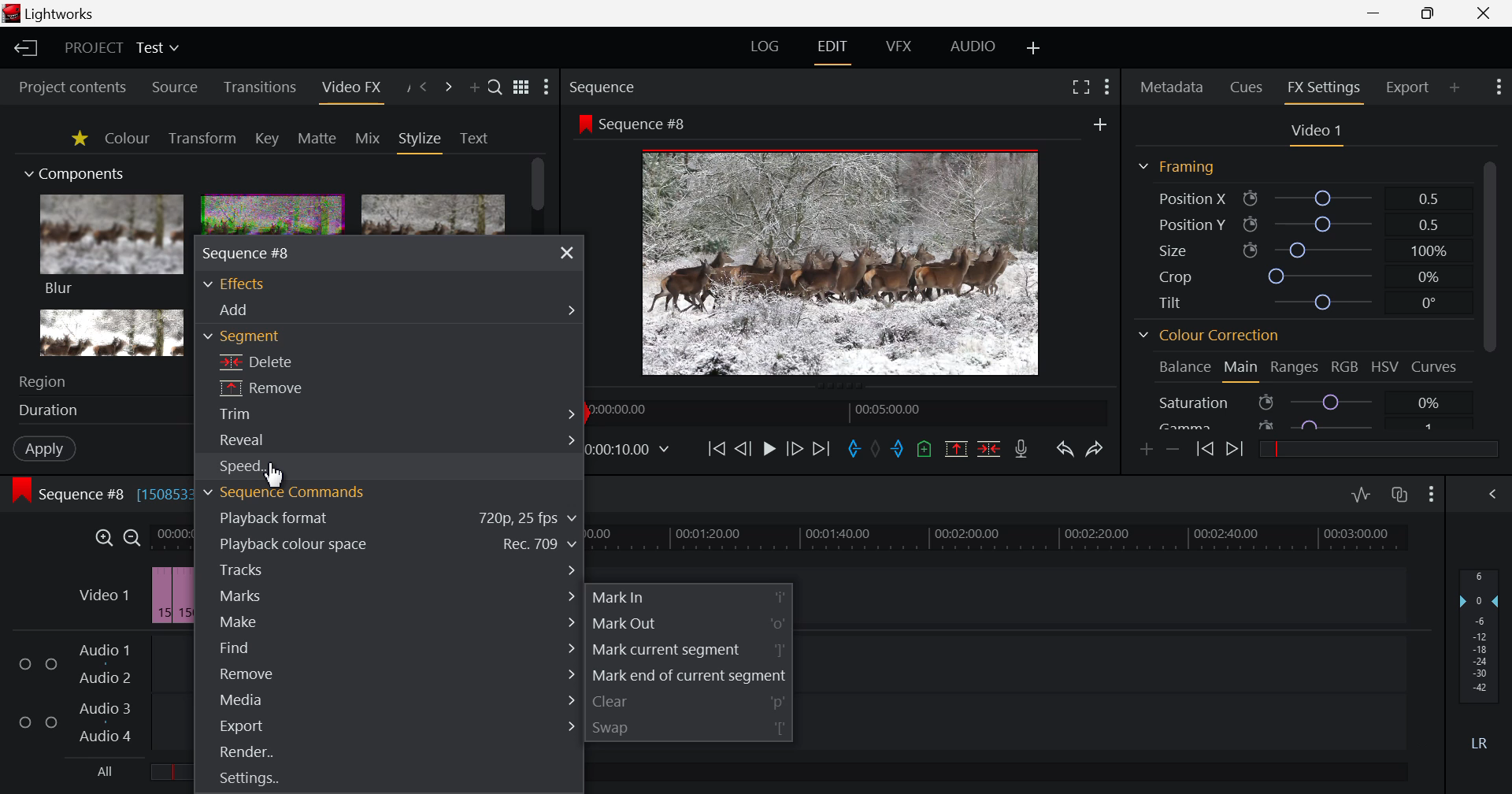 This screenshot has width=1512, height=794. I want to click on Close, so click(1487, 13).